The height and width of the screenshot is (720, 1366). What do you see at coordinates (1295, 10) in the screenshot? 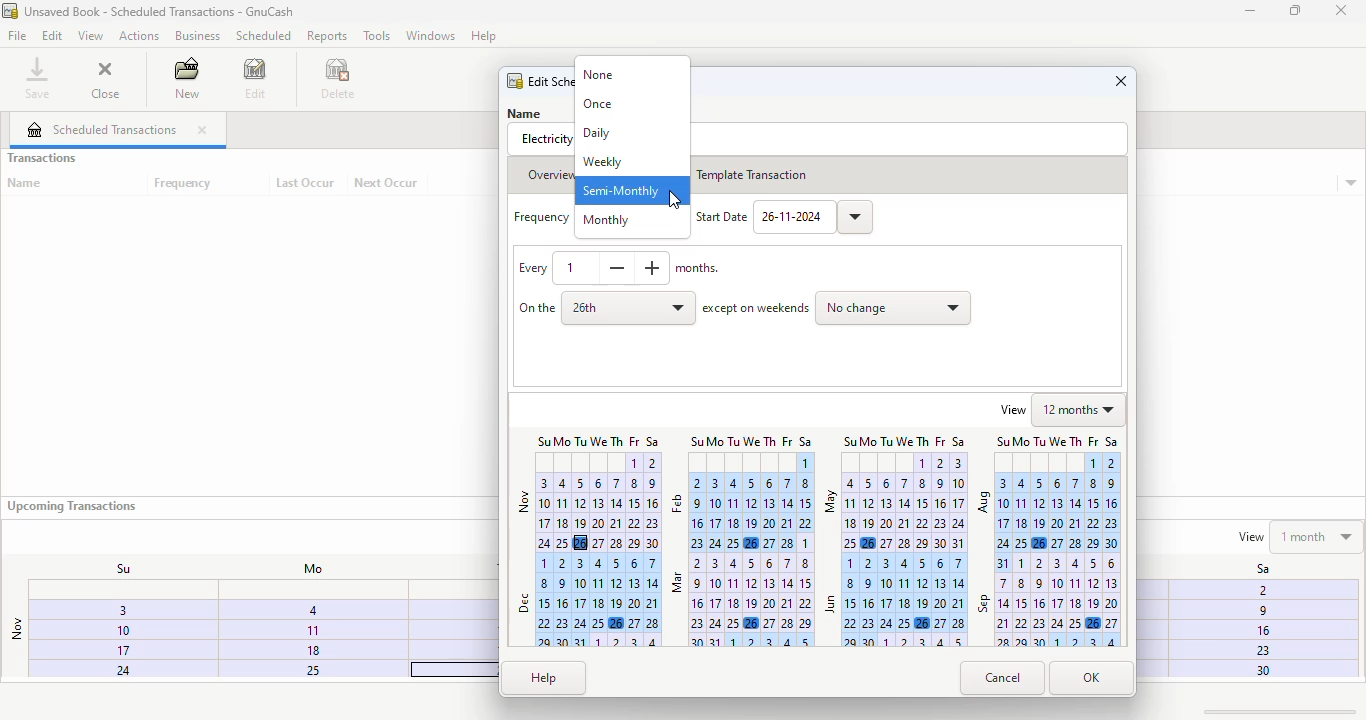
I see `maximize` at bounding box center [1295, 10].